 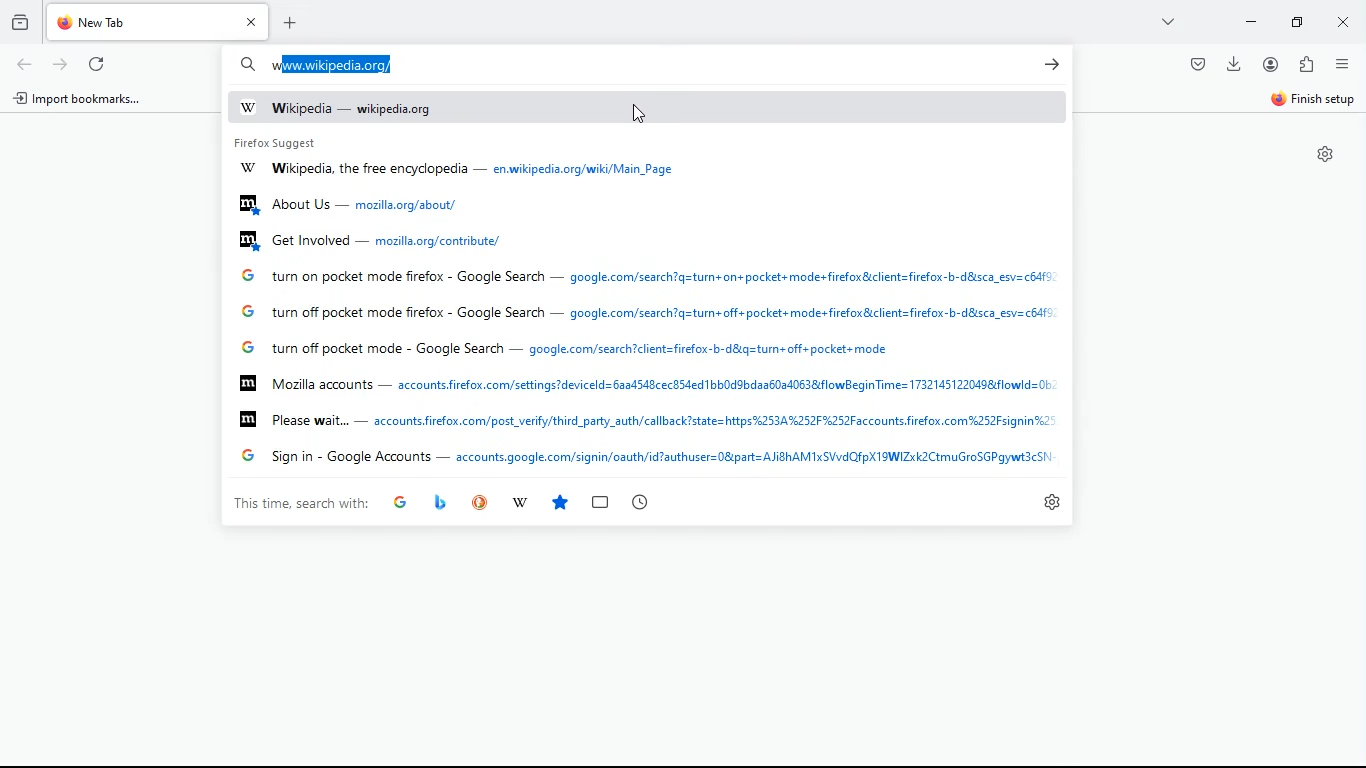 I want to click on profile, so click(x=1270, y=65).